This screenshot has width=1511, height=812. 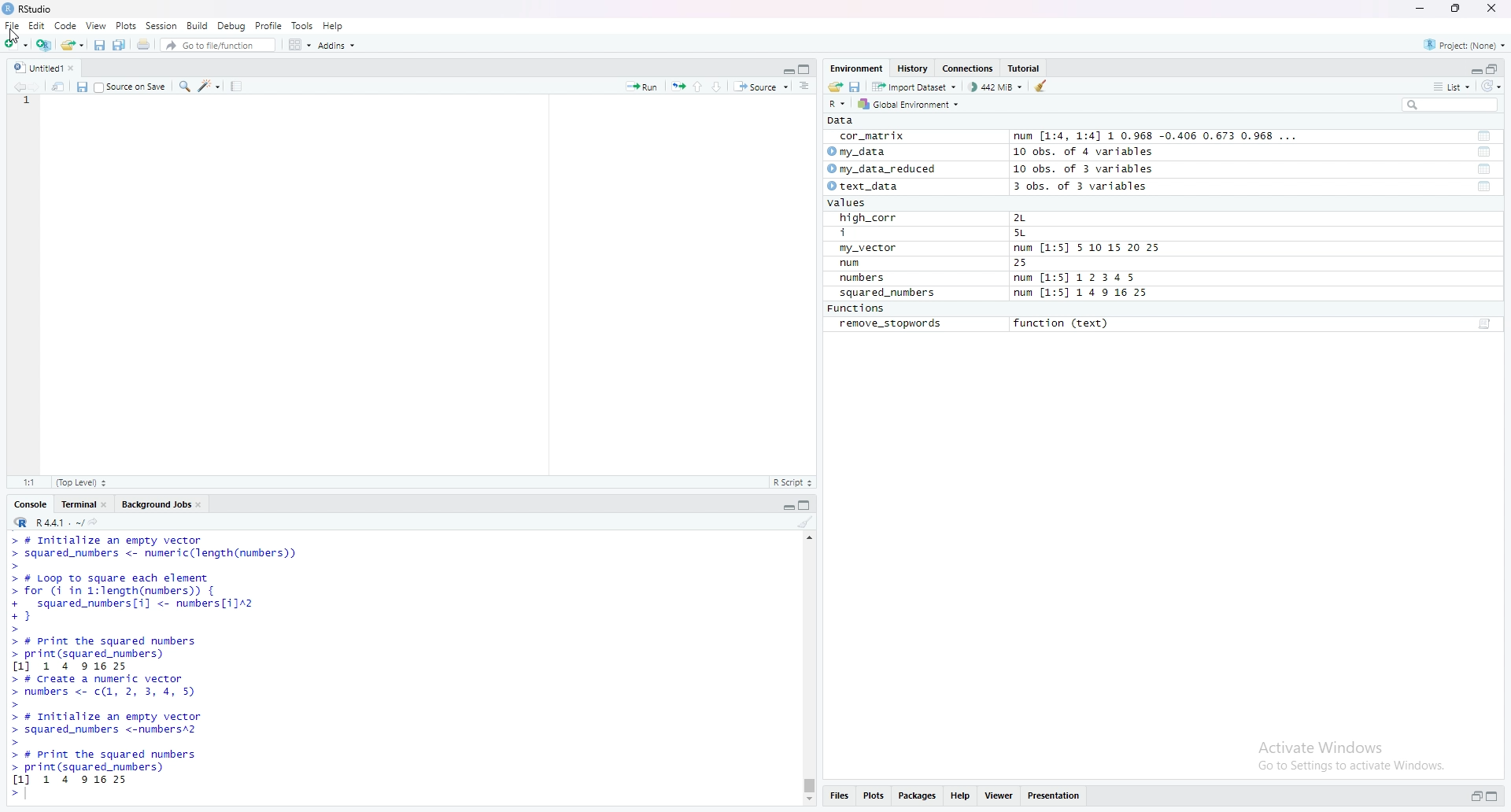 What do you see at coordinates (642, 87) in the screenshot?
I see `Run` at bounding box center [642, 87].